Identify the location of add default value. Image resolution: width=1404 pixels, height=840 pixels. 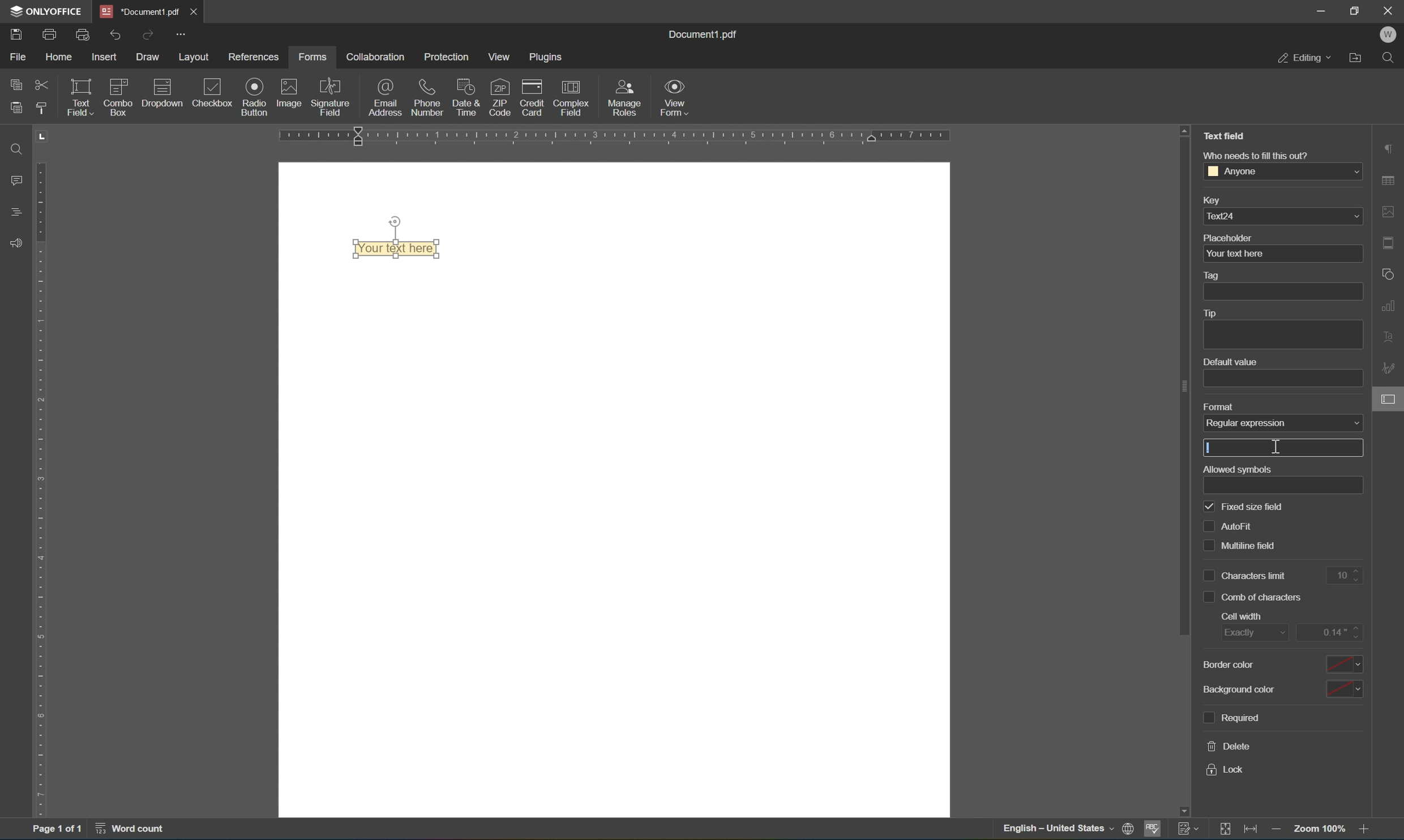
(1283, 379).